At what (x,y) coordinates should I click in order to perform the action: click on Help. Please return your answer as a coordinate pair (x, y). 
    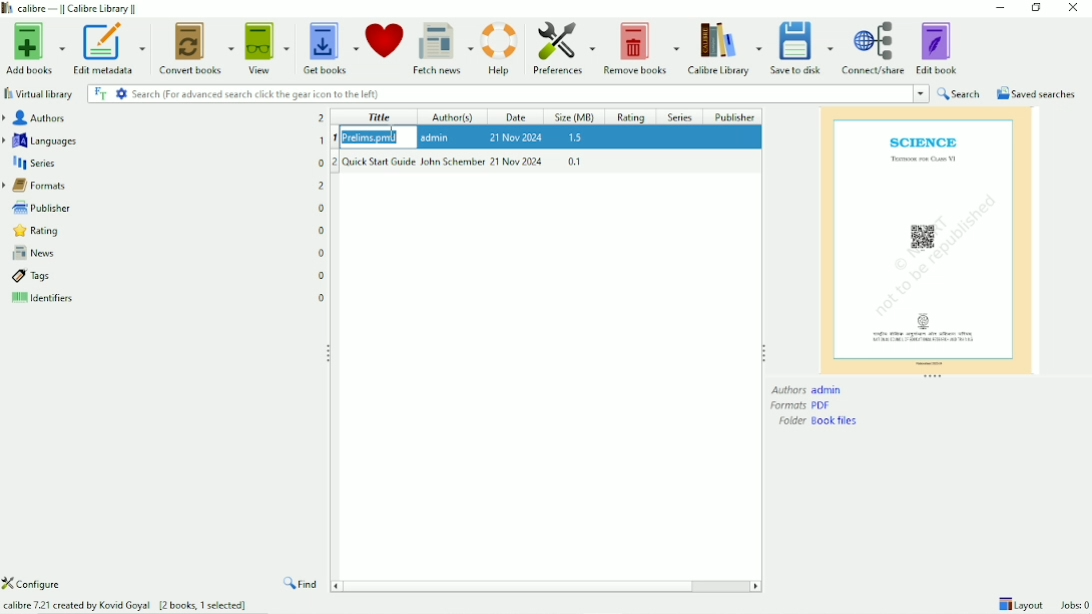
    Looking at the image, I should click on (500, 48).